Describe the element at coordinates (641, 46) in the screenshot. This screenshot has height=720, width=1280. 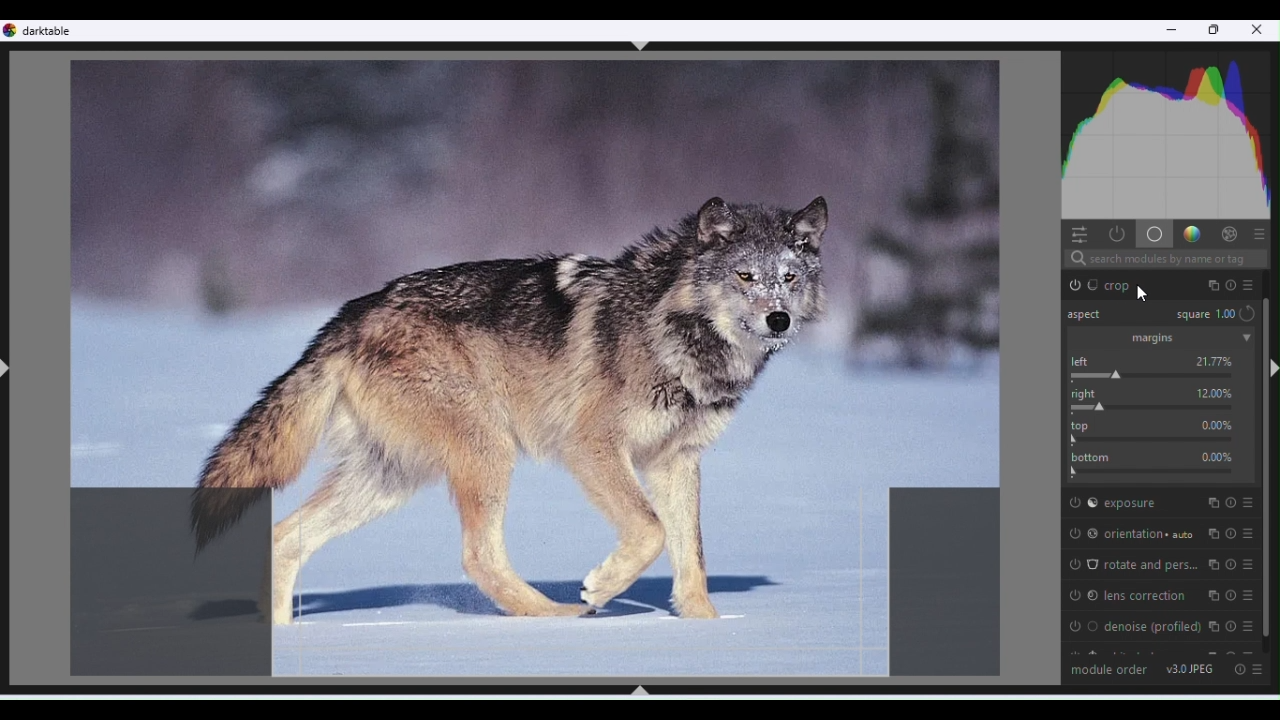
I see `ctrl+shift+t` at that location.